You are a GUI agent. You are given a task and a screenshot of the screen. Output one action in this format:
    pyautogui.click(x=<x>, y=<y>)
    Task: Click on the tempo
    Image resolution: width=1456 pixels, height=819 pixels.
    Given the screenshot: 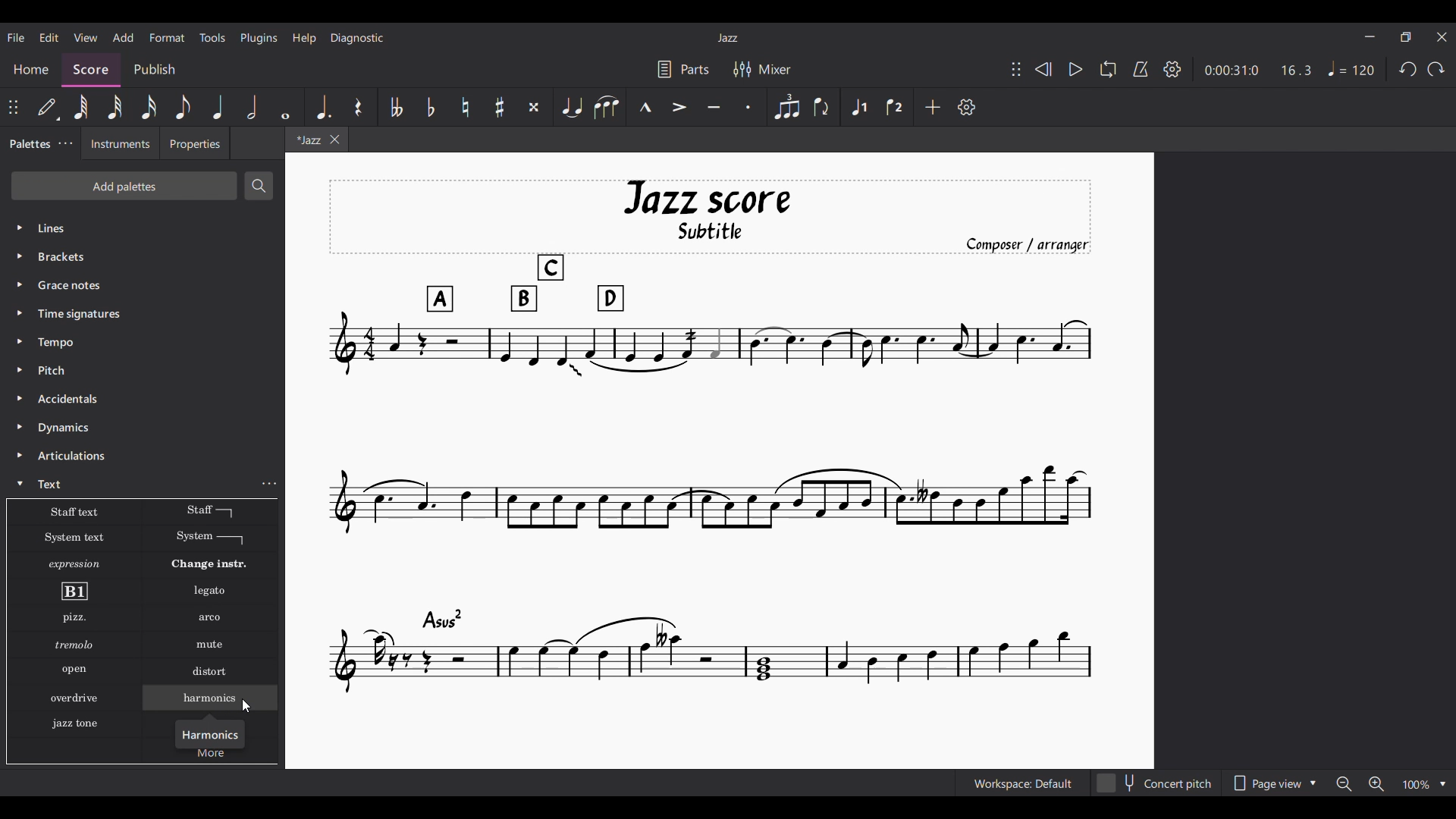 What is the action you would take?
    pyautogui.click(x=59, y=342)
    